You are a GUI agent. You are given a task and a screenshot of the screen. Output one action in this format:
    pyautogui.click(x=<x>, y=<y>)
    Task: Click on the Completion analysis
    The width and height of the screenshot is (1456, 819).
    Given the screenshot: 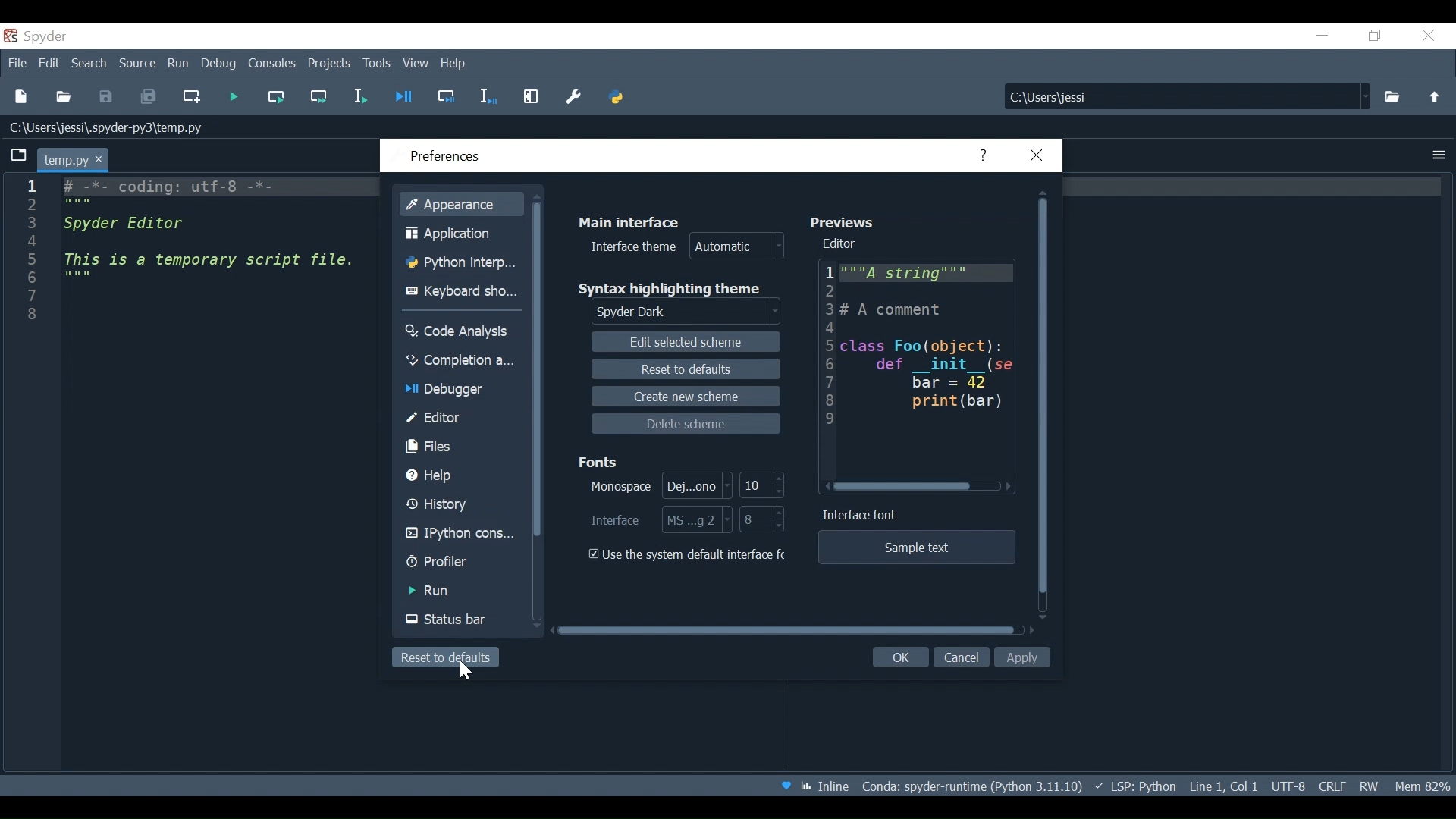 What is the action you would take?
    pyautogui.click(x=462, y=359)
    